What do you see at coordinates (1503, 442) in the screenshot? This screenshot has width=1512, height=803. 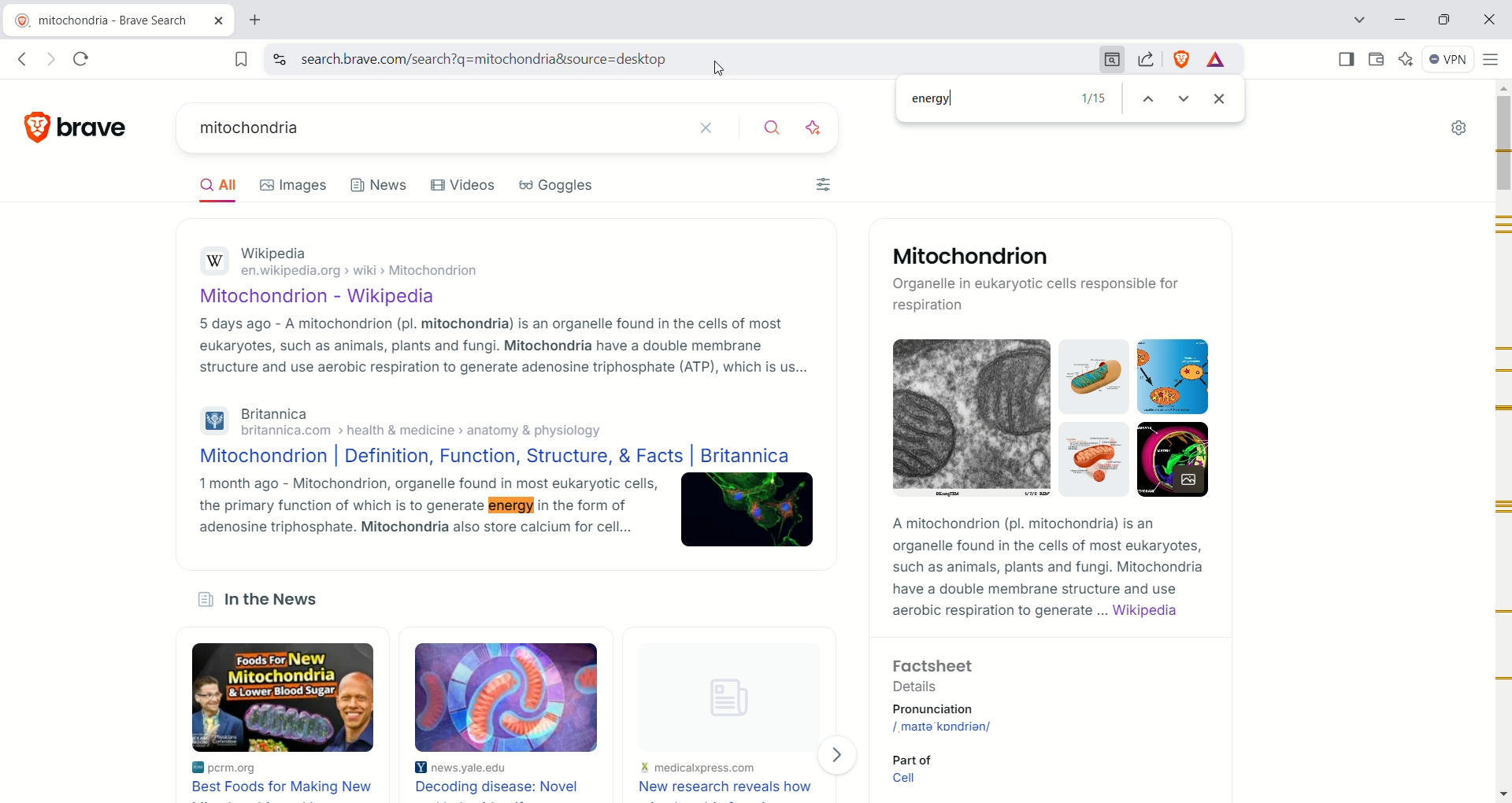 I see `vertical scroll bar` at bounding box center [1503, 442].